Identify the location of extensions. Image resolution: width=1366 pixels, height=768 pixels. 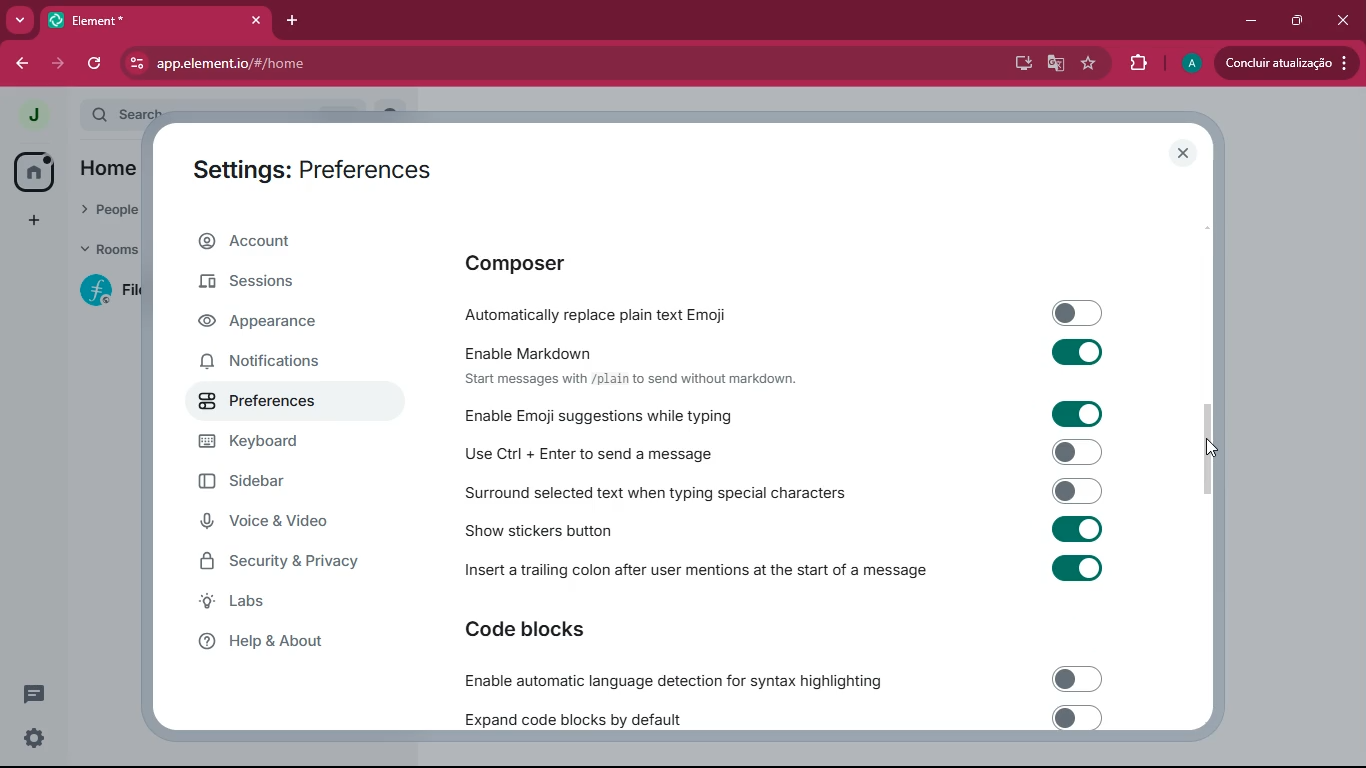
(1137, 64).